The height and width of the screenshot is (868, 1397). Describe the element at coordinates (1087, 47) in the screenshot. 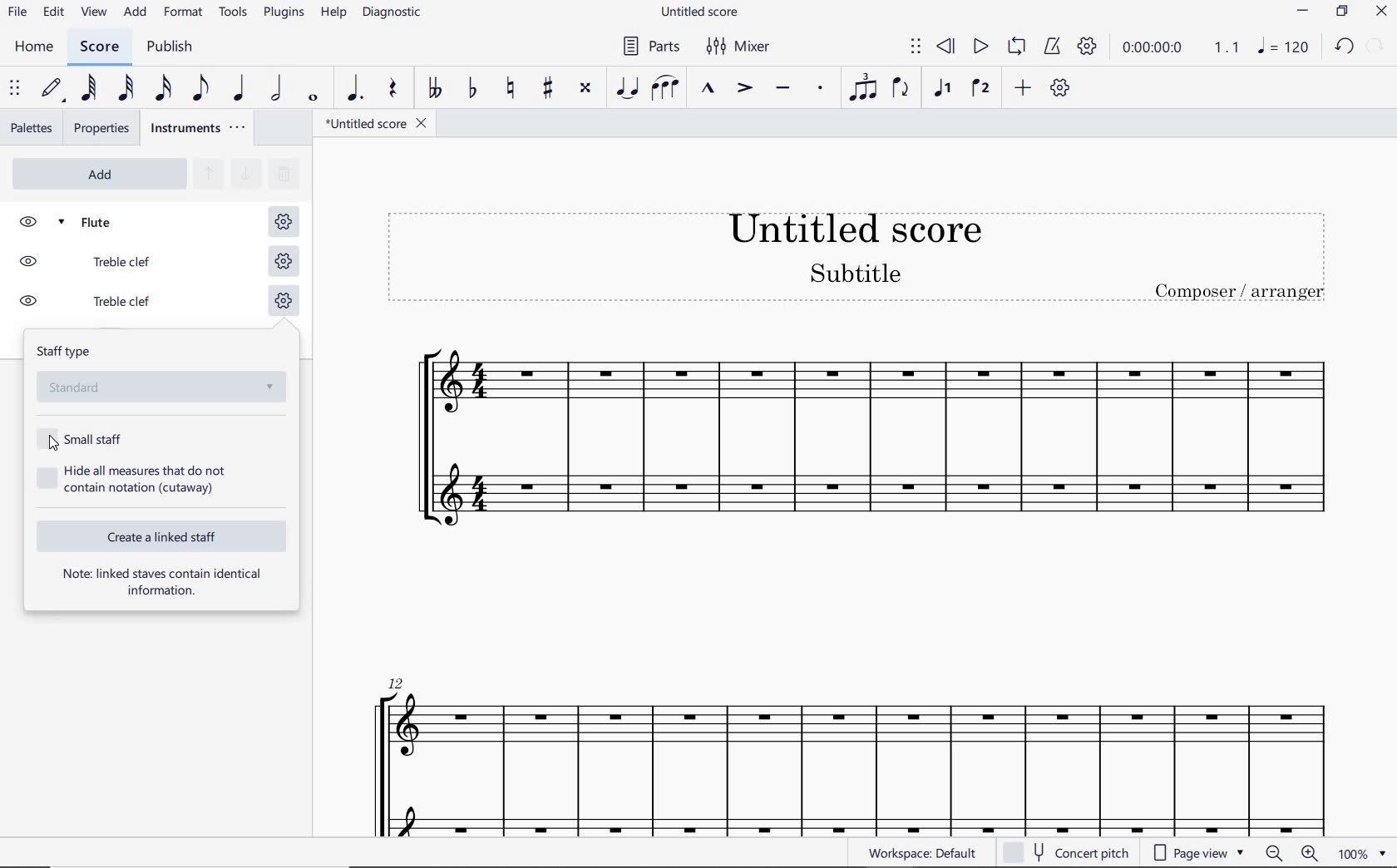

I see `PLAYBACK SETTINGS` at that location.